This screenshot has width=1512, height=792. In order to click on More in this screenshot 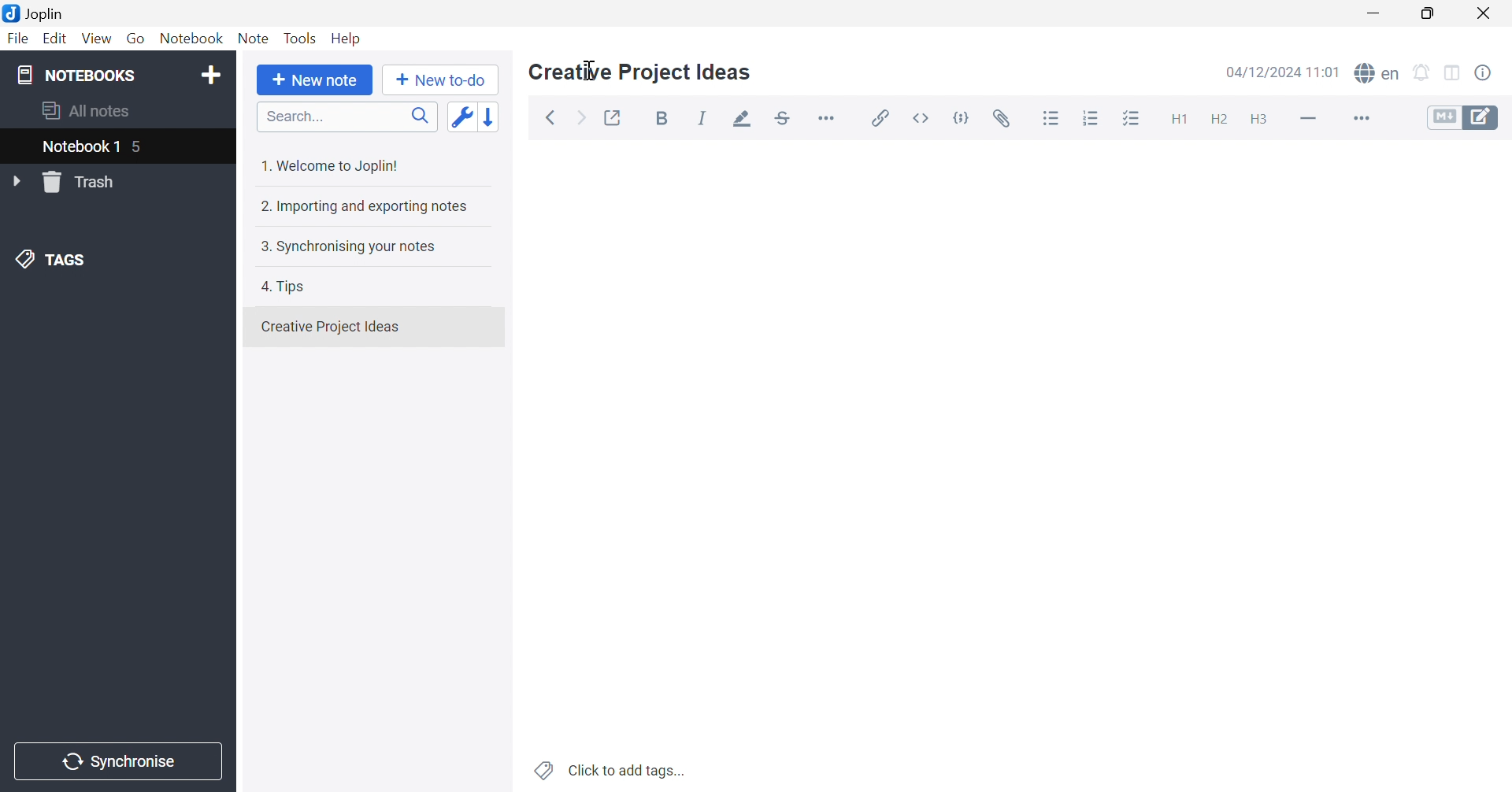, I will do `click(1363, 120)`.